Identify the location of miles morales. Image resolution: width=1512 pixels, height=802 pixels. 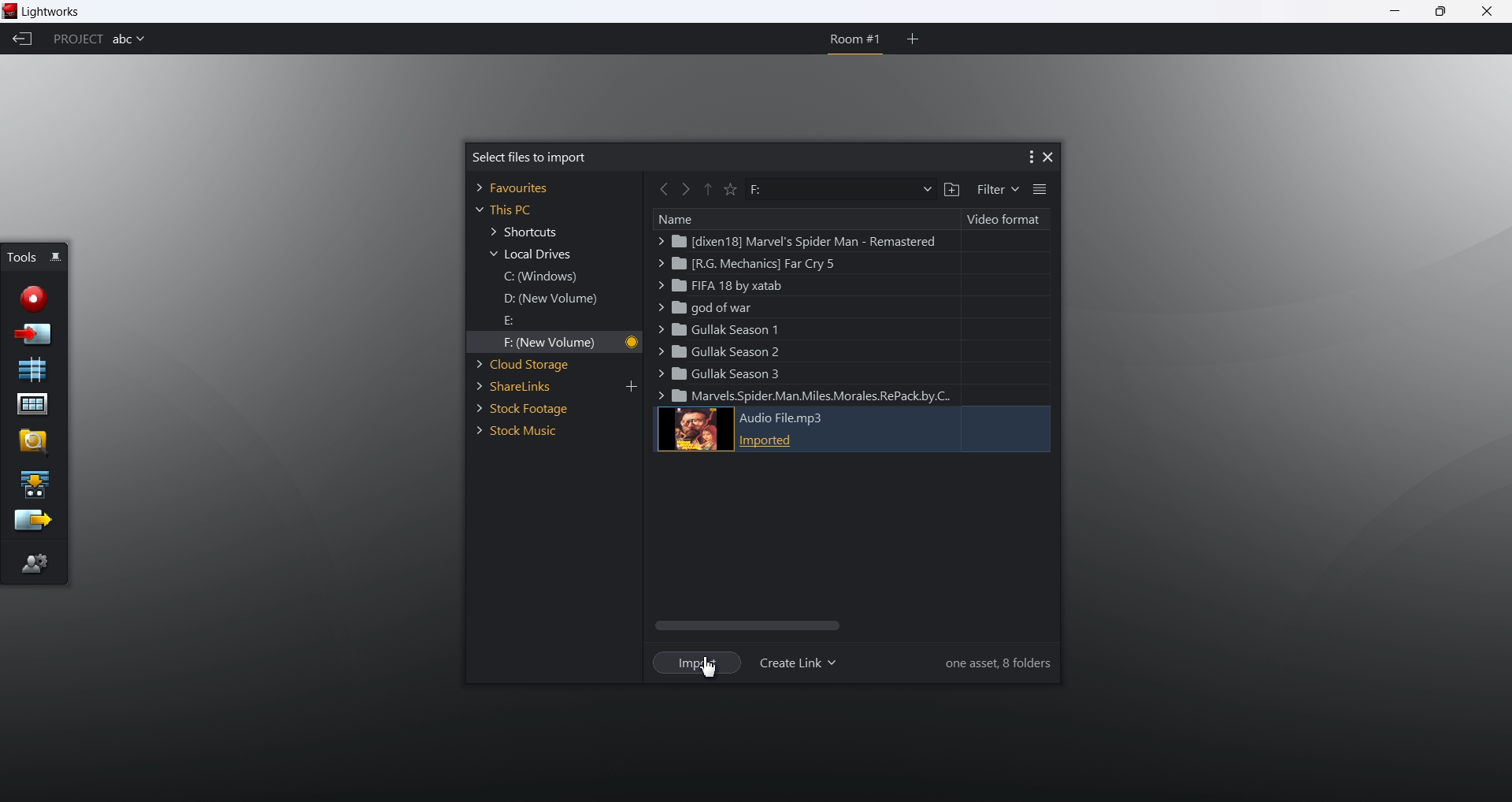
(807, 396).